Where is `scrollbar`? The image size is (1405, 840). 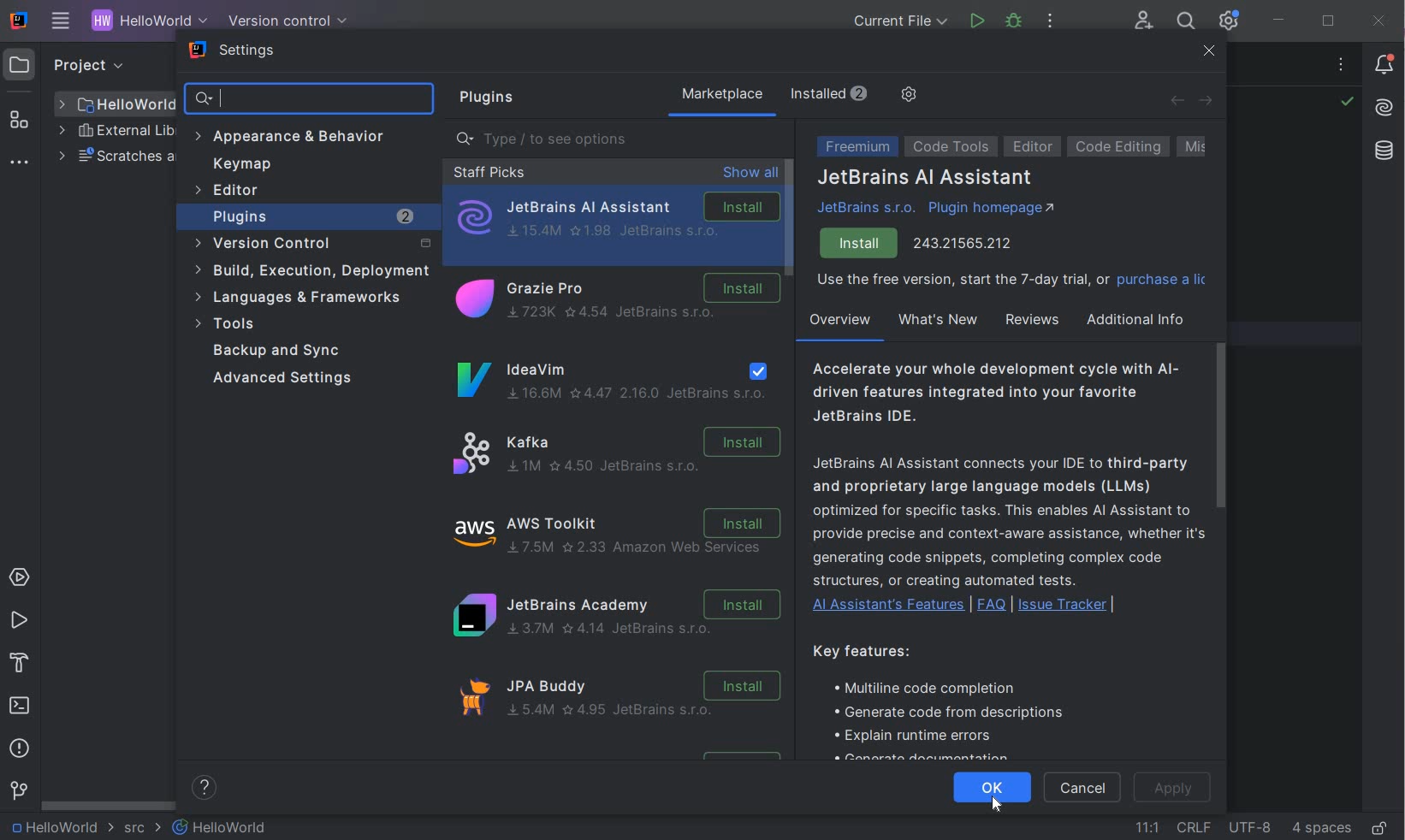 scrollbar is located at coordinates (1219, 423).